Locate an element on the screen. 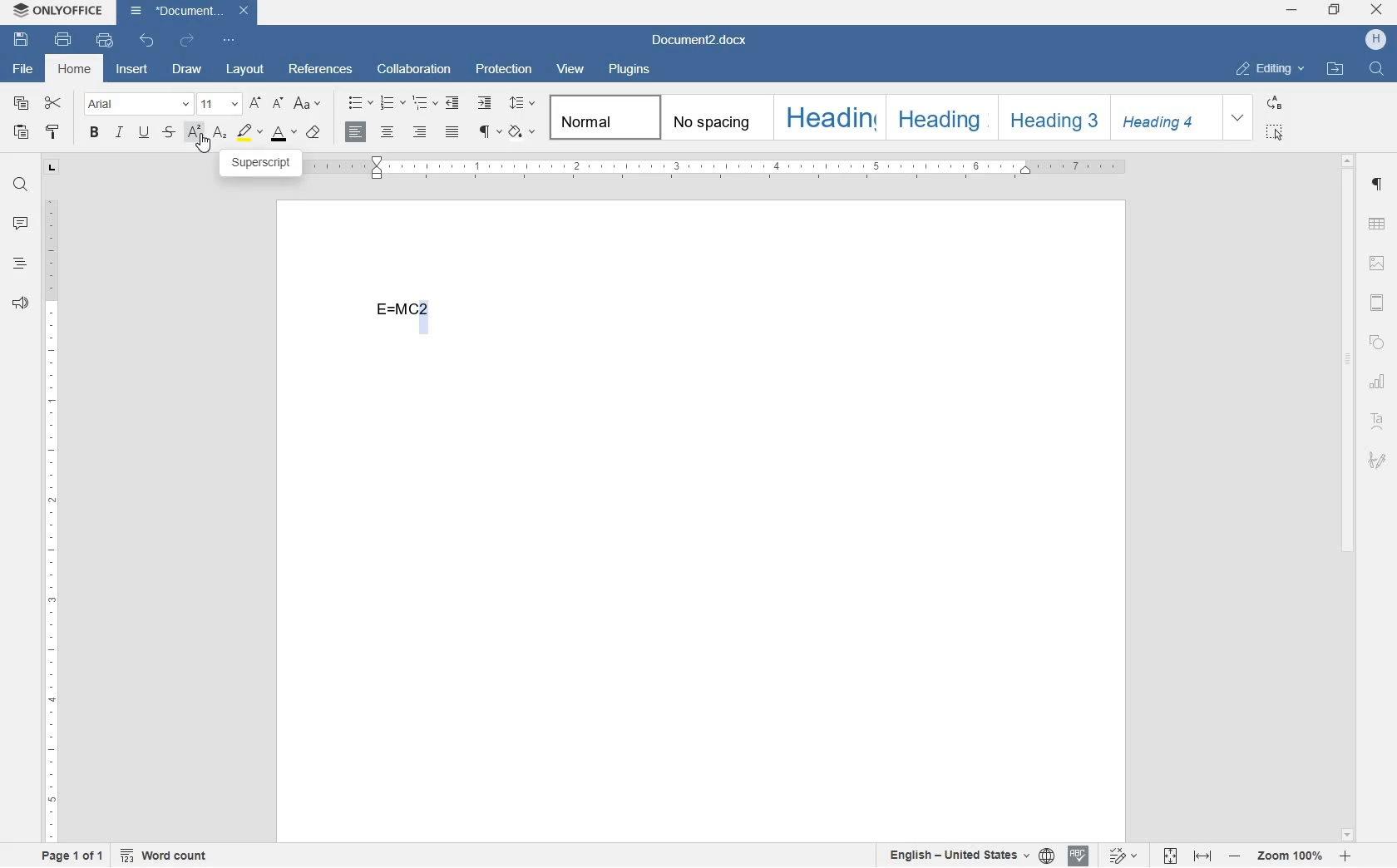 This screenshot has width=1397, height=868. align right is located at coordinates (419, 133).